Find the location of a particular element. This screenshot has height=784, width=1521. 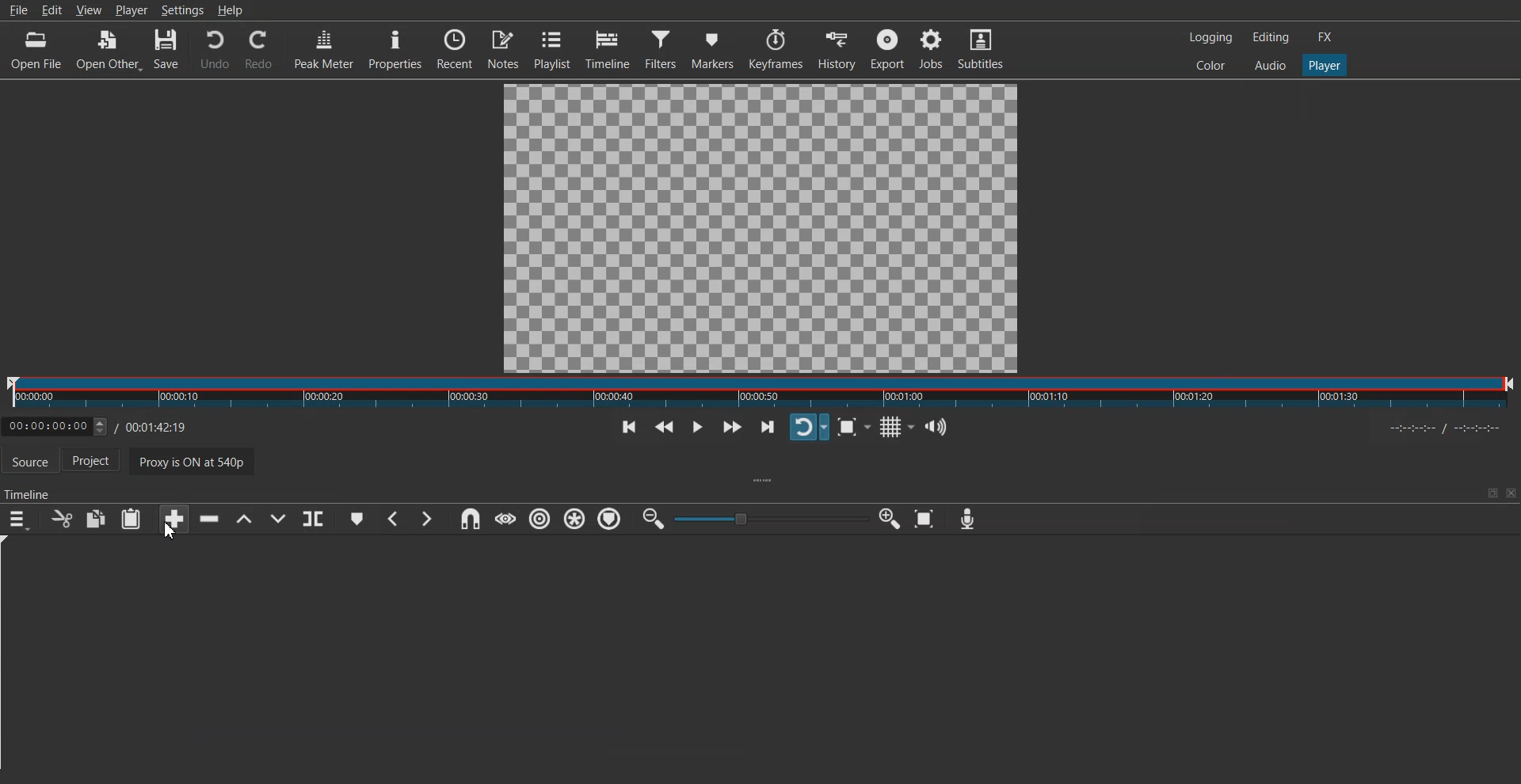

Lift is located at coordinates (243, 519).